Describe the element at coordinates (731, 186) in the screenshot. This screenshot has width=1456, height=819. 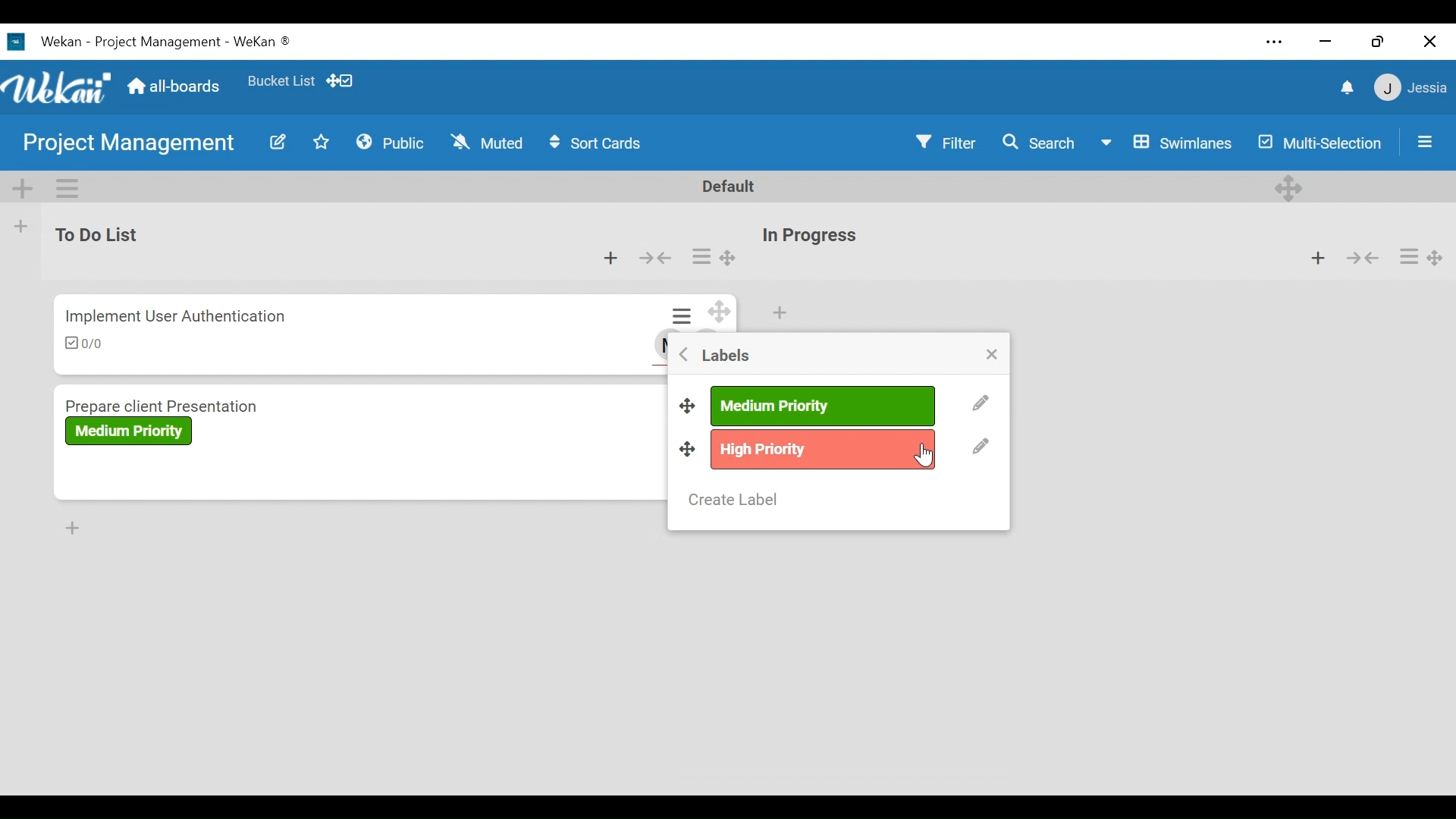
I see `Default` at that location.